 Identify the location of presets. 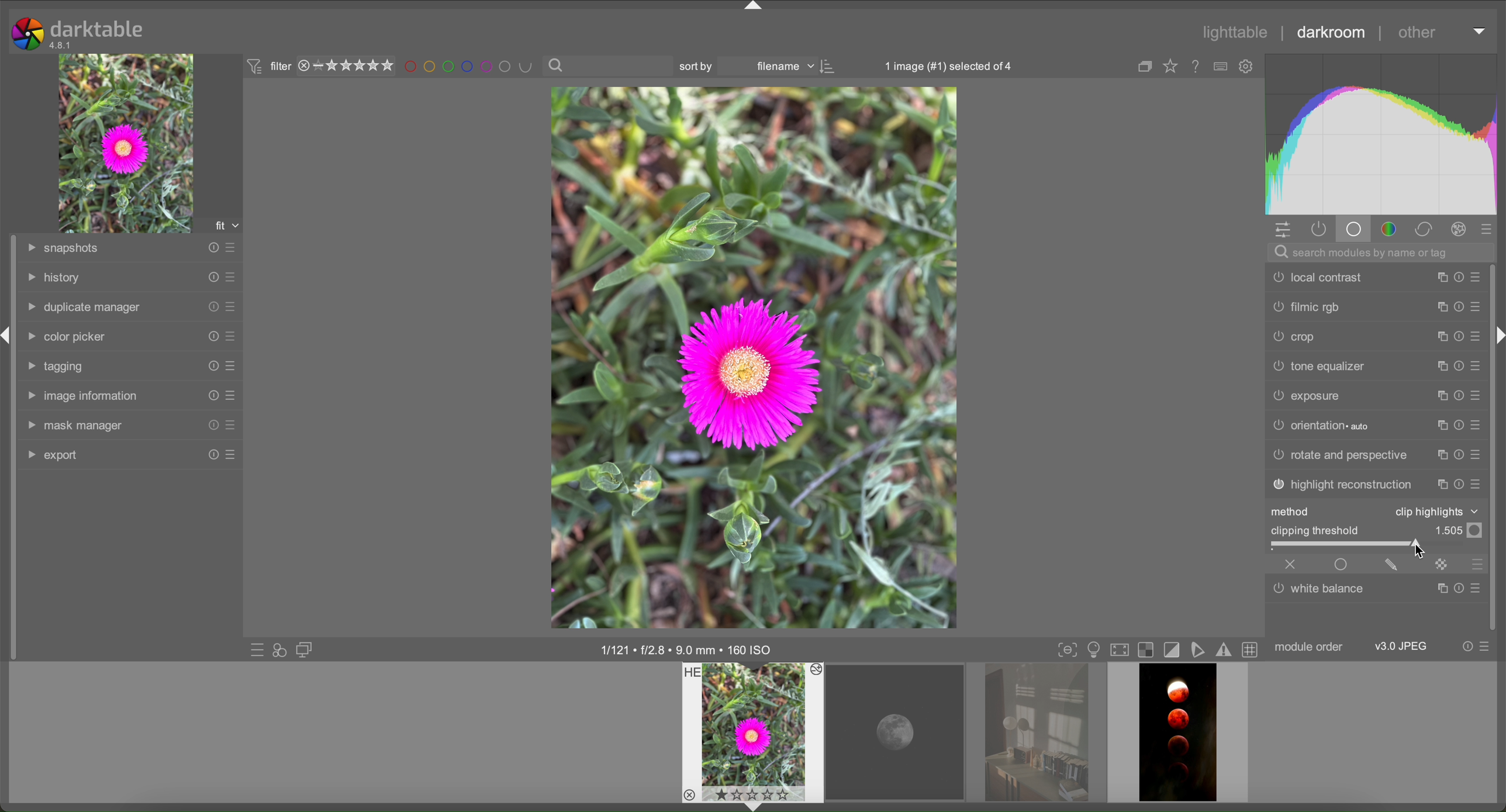
(1479, 426).